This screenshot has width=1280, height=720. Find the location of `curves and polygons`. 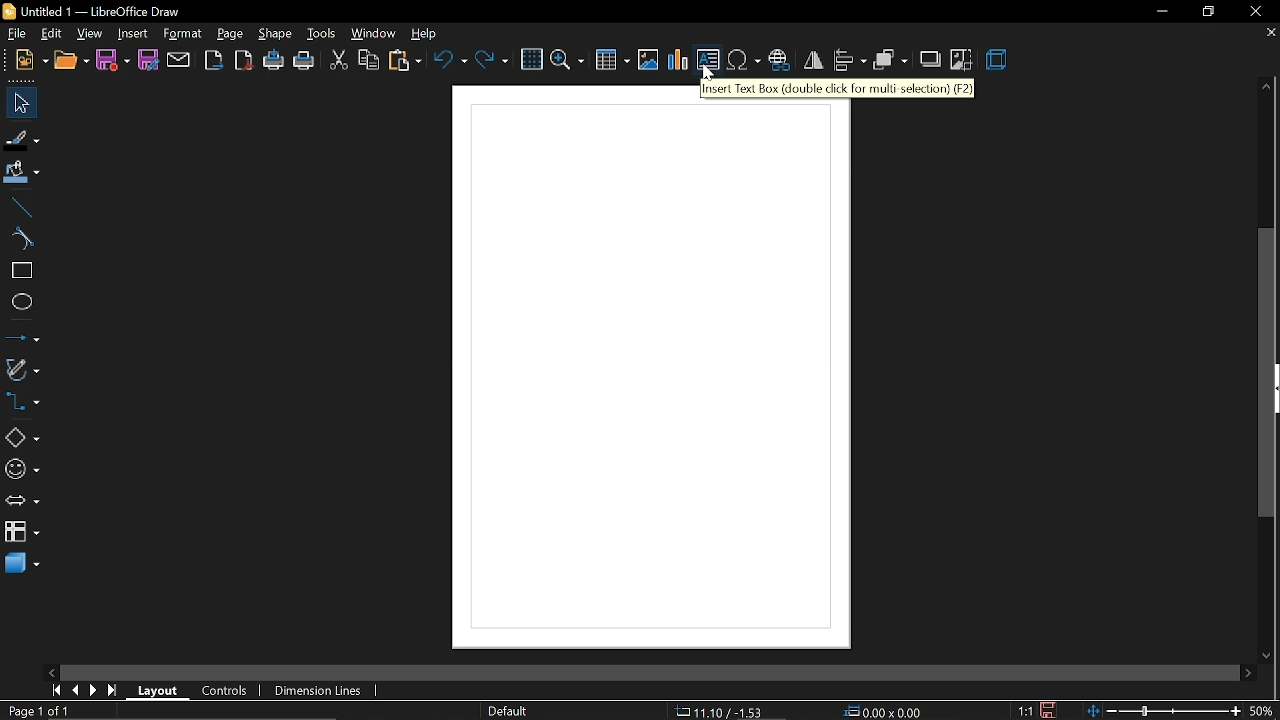

curves and polygons is located at coordinates (20, 372).